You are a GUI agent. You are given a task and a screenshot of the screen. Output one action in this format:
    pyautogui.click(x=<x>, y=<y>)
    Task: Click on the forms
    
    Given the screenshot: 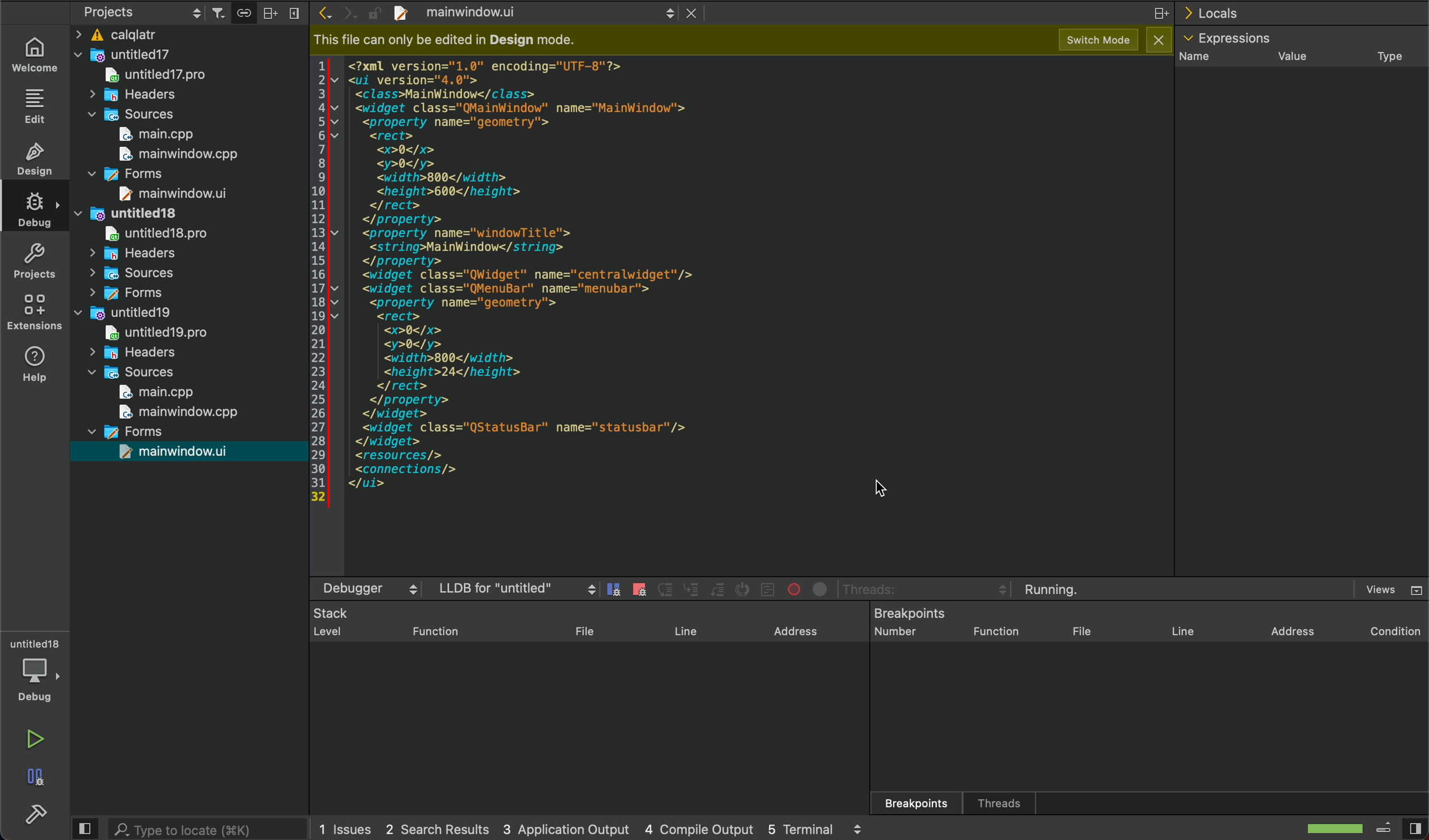 What is the action you would take?
    pyautogui.click(x=137, y=174)
    